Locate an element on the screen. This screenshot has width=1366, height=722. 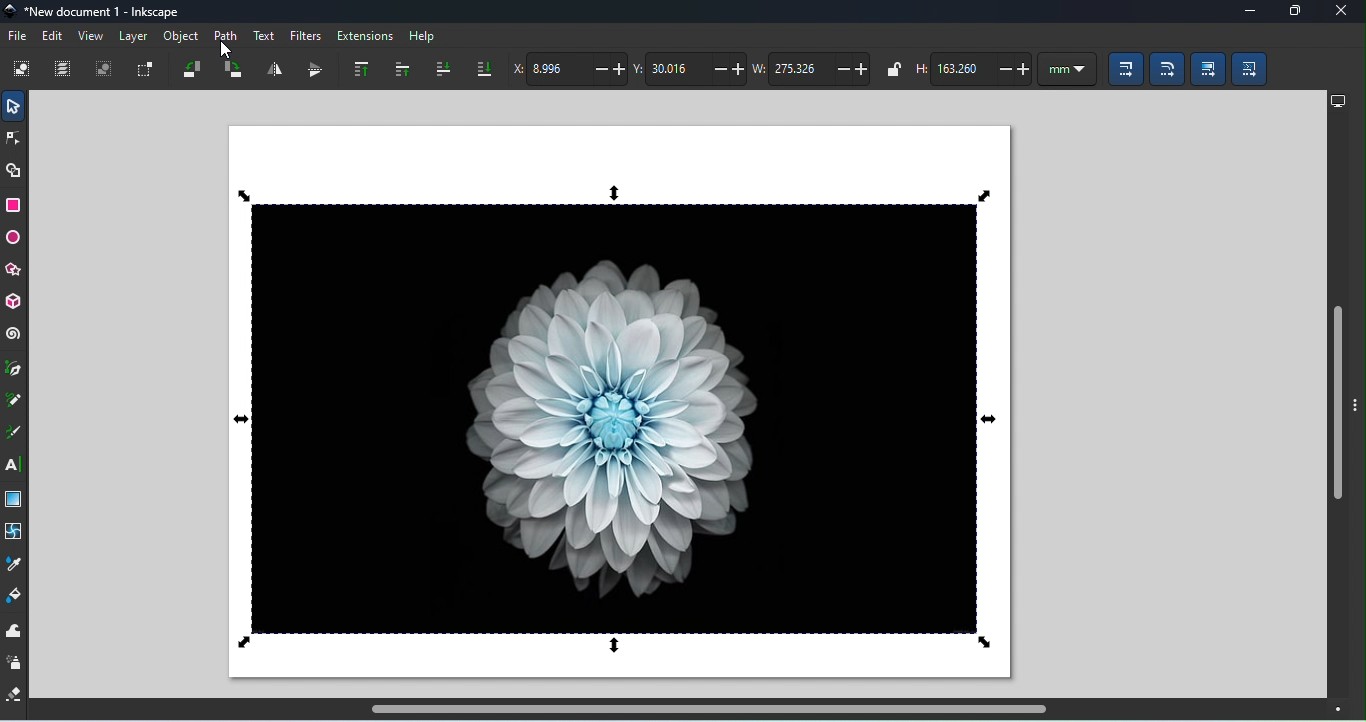
Object flip vertically is located at coordinates (310, 71).